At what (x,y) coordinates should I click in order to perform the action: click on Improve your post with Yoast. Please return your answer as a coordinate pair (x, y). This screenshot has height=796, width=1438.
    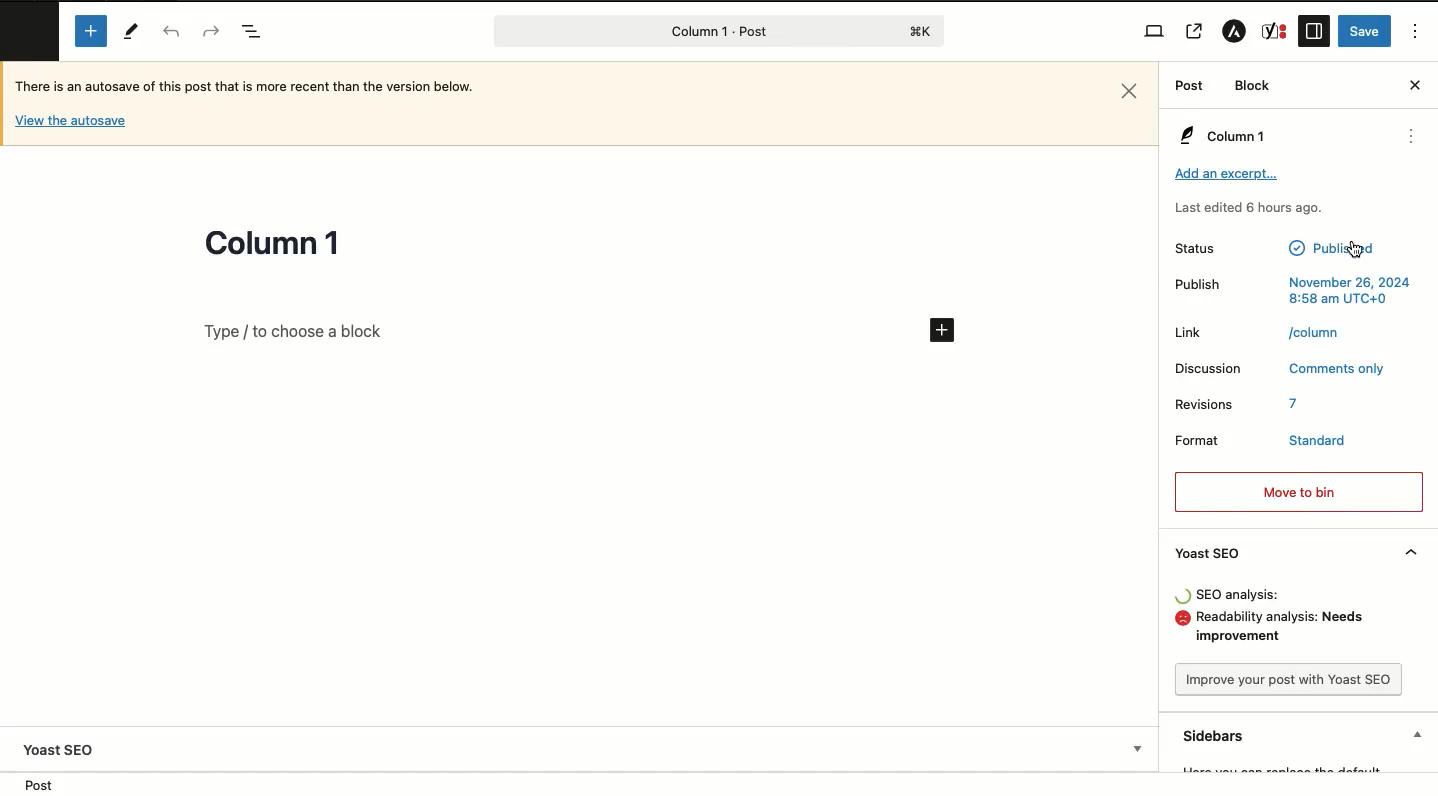
    Looking at the image, I should click on (1286, 677).